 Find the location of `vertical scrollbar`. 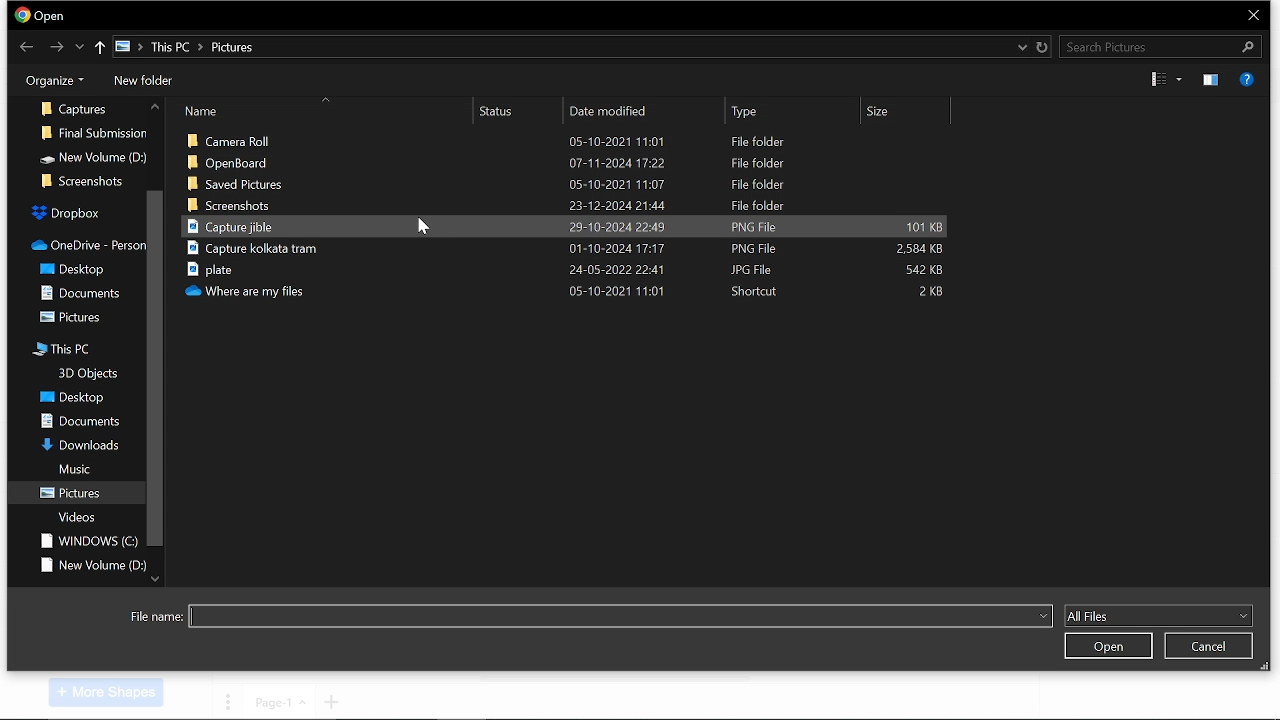

vertical scrollbar is located at coordinates (154, 371).